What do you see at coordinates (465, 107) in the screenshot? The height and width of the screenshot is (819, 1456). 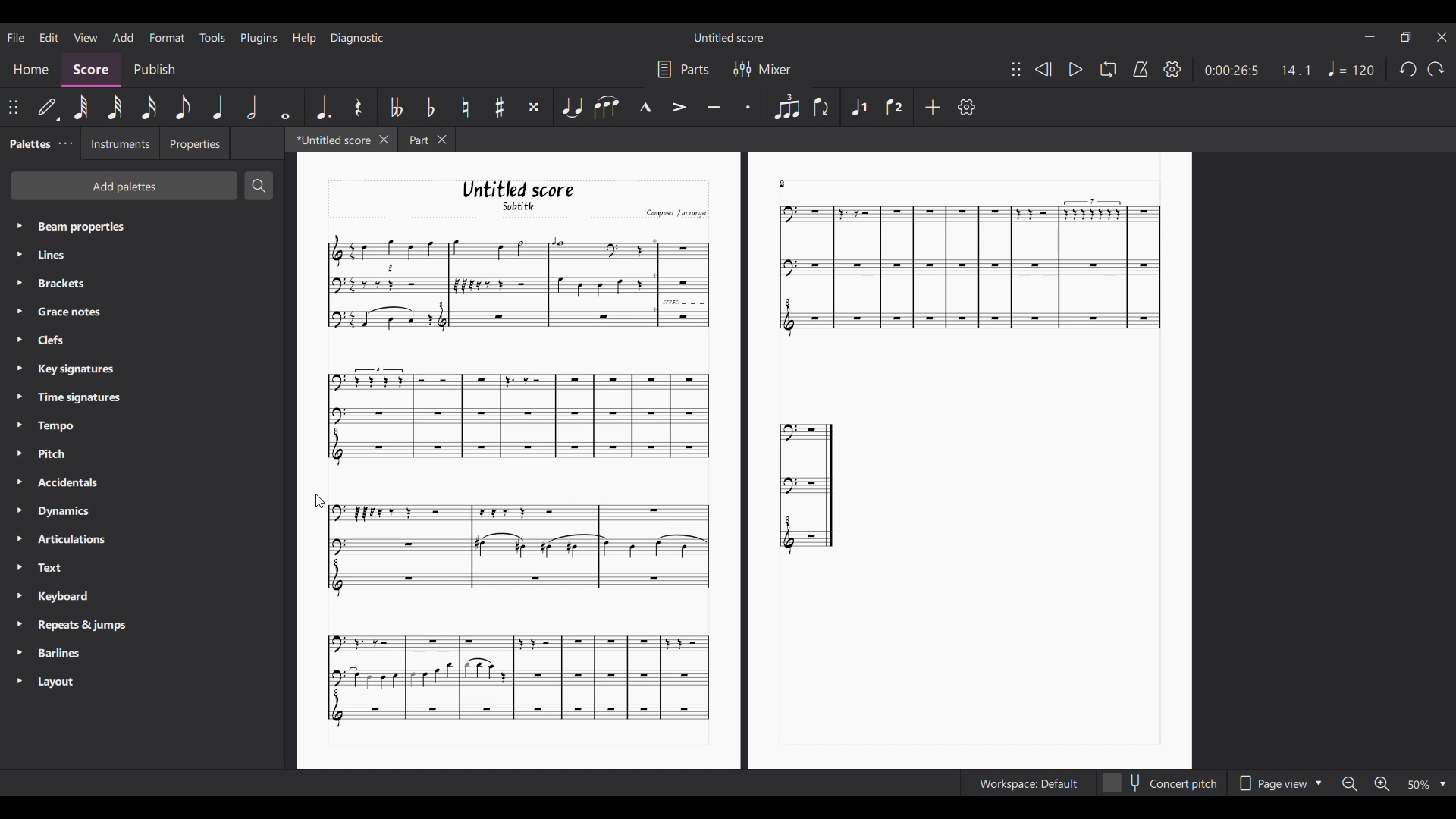 I see `Toggle natural` at bounding box center [465, 107].